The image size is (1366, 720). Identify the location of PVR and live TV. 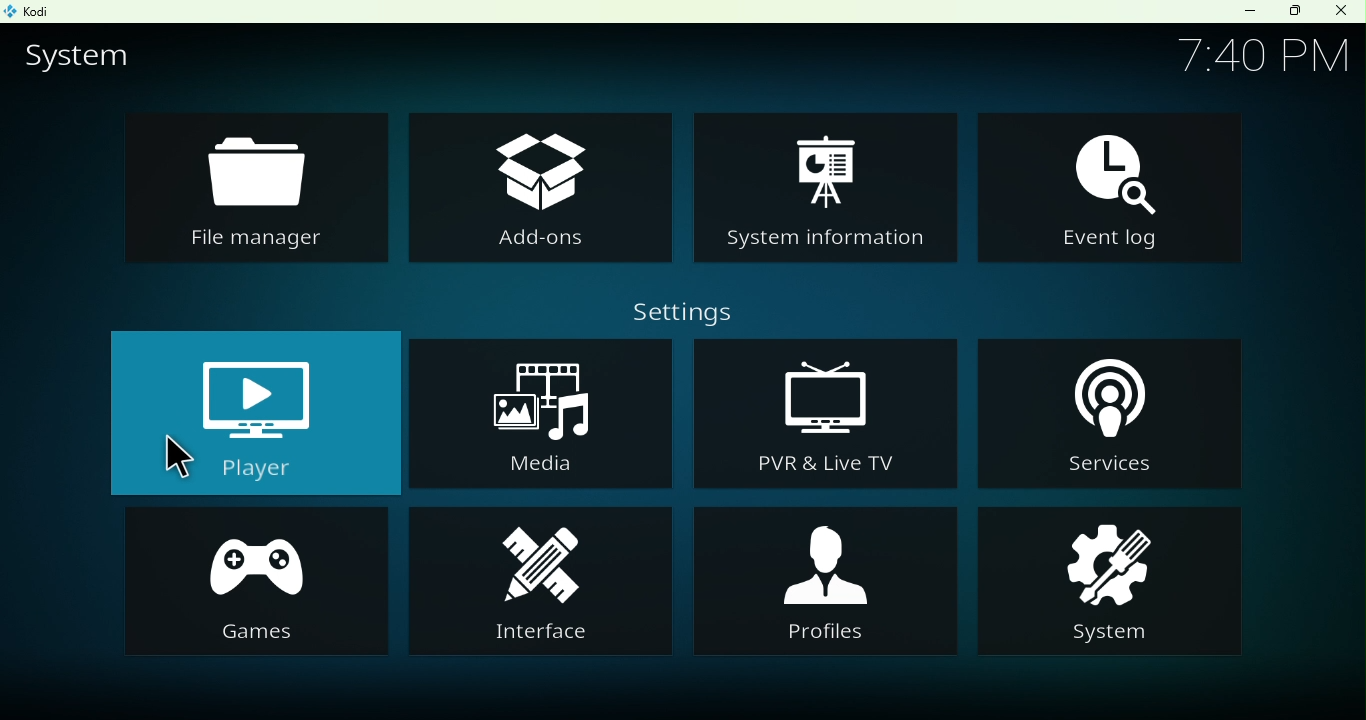
(828, 417).